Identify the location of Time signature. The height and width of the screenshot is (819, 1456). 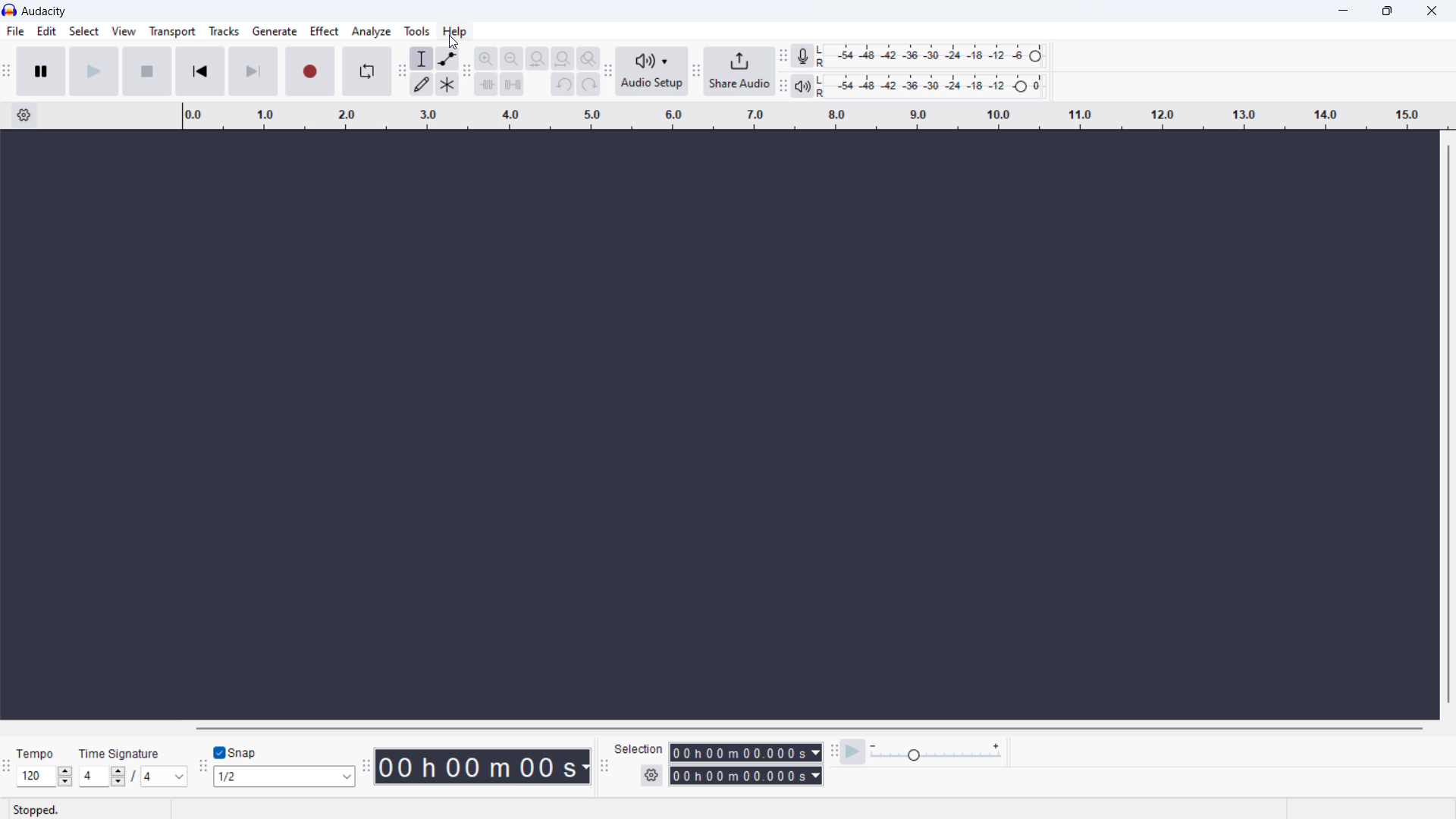
(120, 753).